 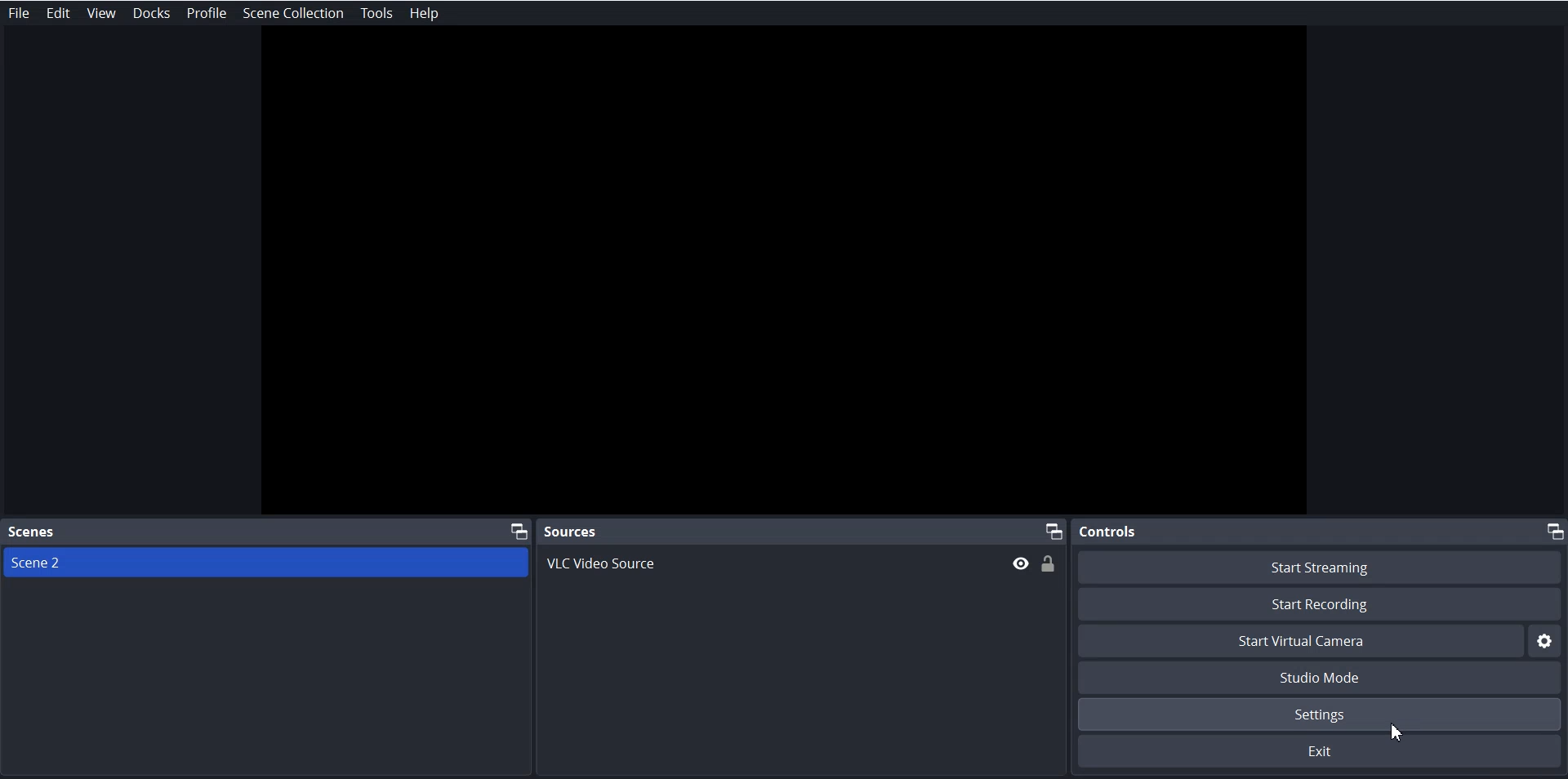 What do you see at coordinates (1322, 679) in the screenshot?
I see `Studio Mode` at bounding box center [1322, 679].